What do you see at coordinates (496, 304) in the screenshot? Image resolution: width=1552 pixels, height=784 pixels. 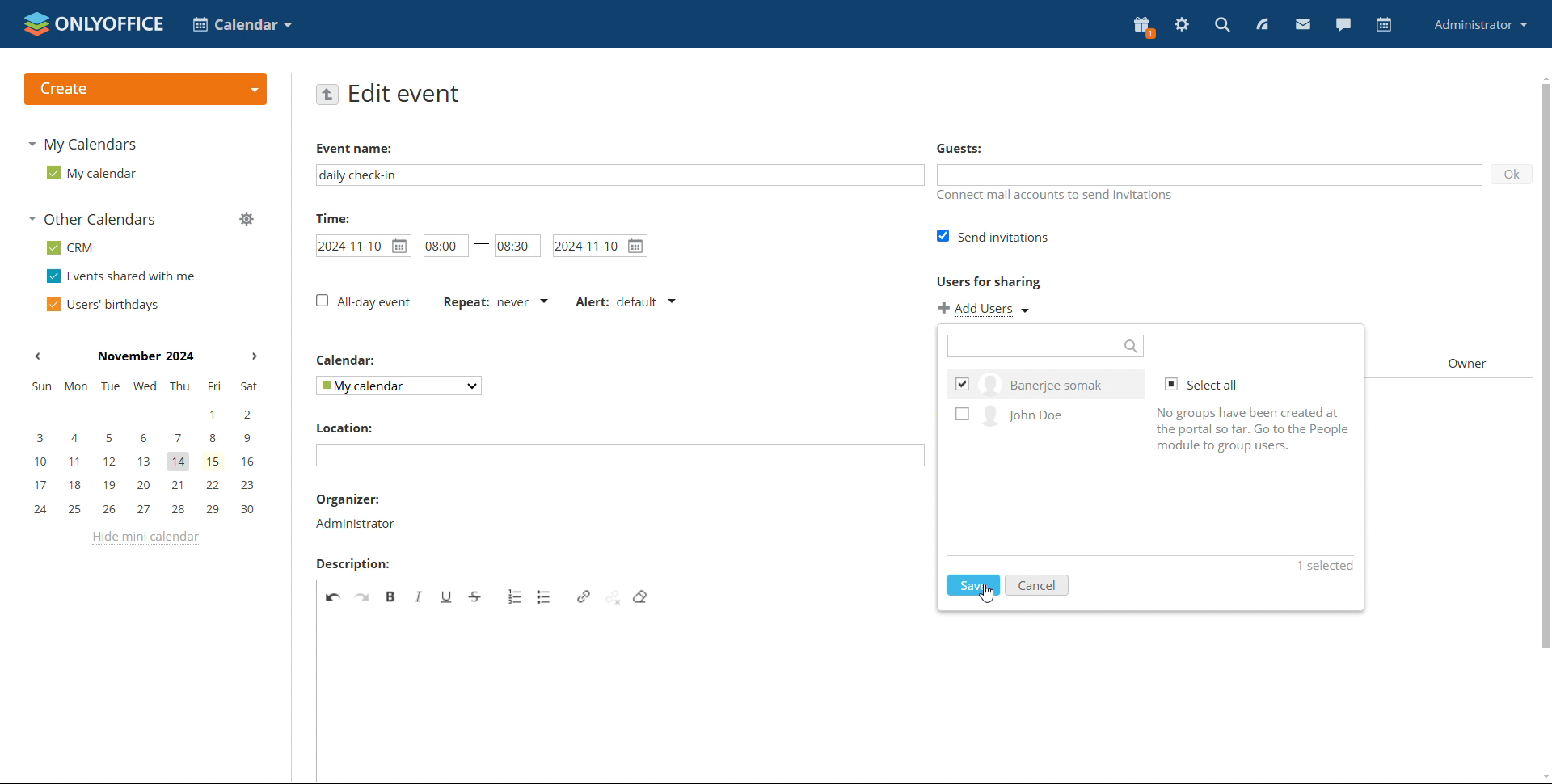 I see `event repetition` at bounding box center [496, 304].